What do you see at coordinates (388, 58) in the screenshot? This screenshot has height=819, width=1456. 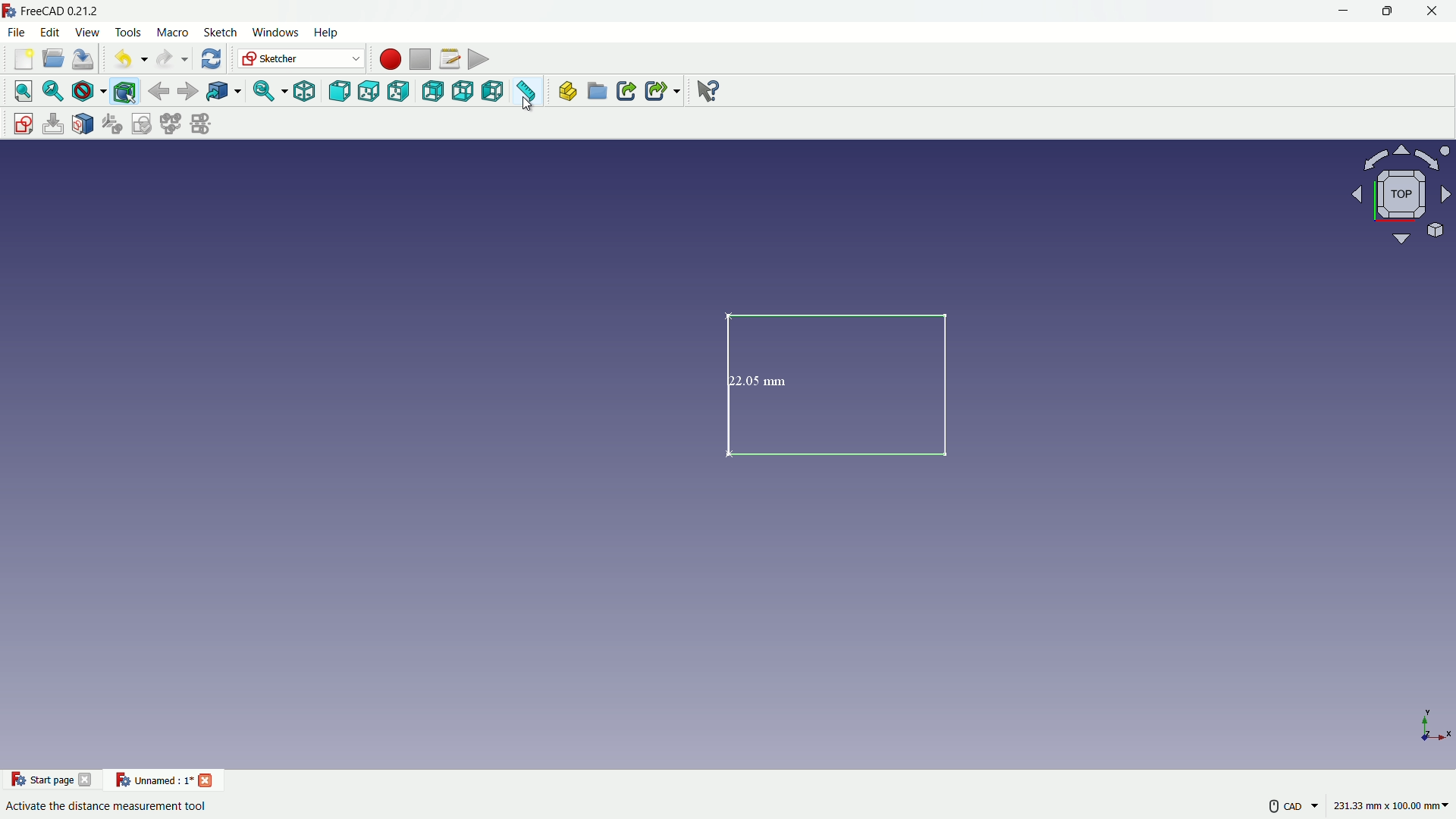 I see `start macros` at bounding box center [388, 58].